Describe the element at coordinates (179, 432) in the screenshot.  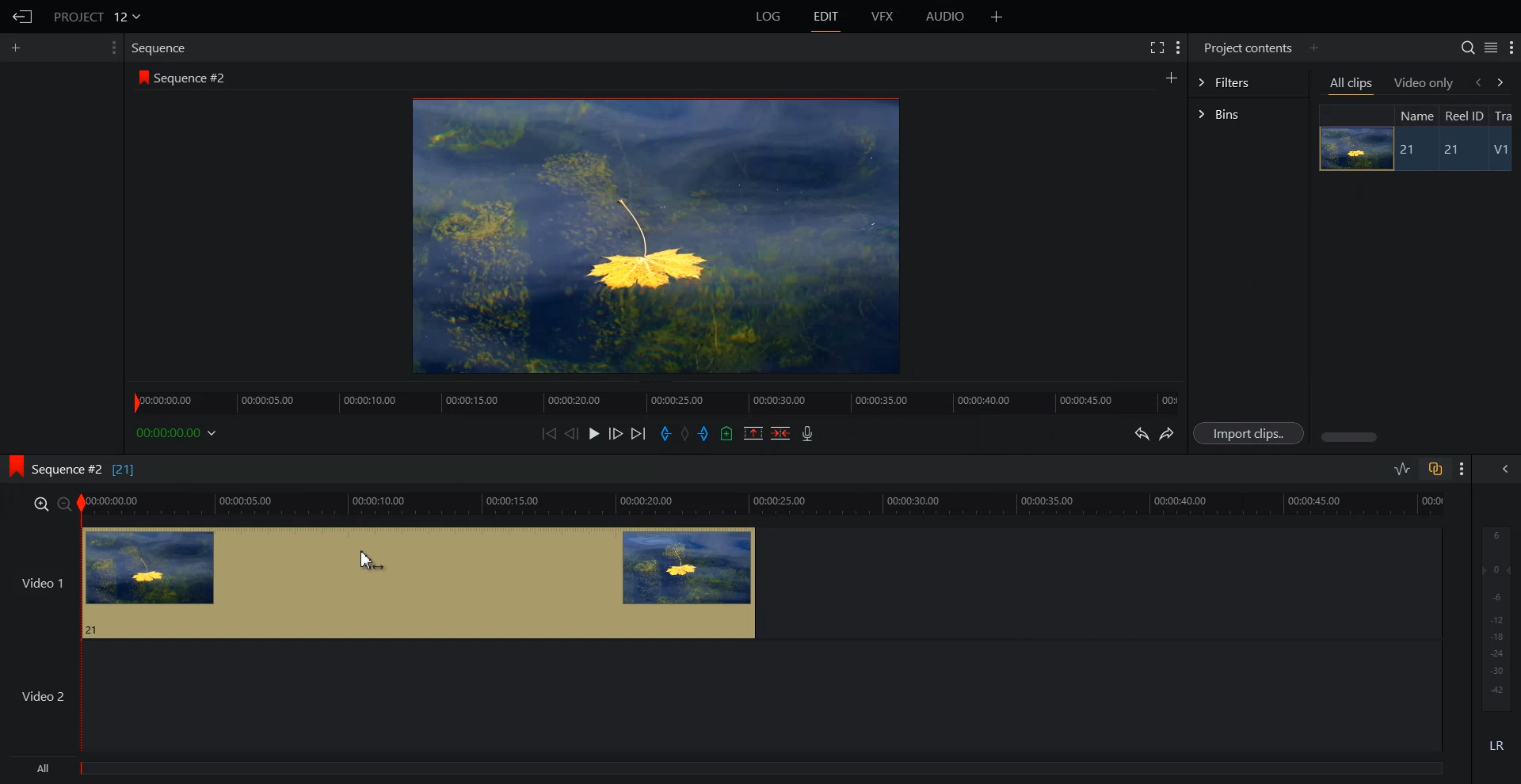
I see `00:00:00.00` at that location.